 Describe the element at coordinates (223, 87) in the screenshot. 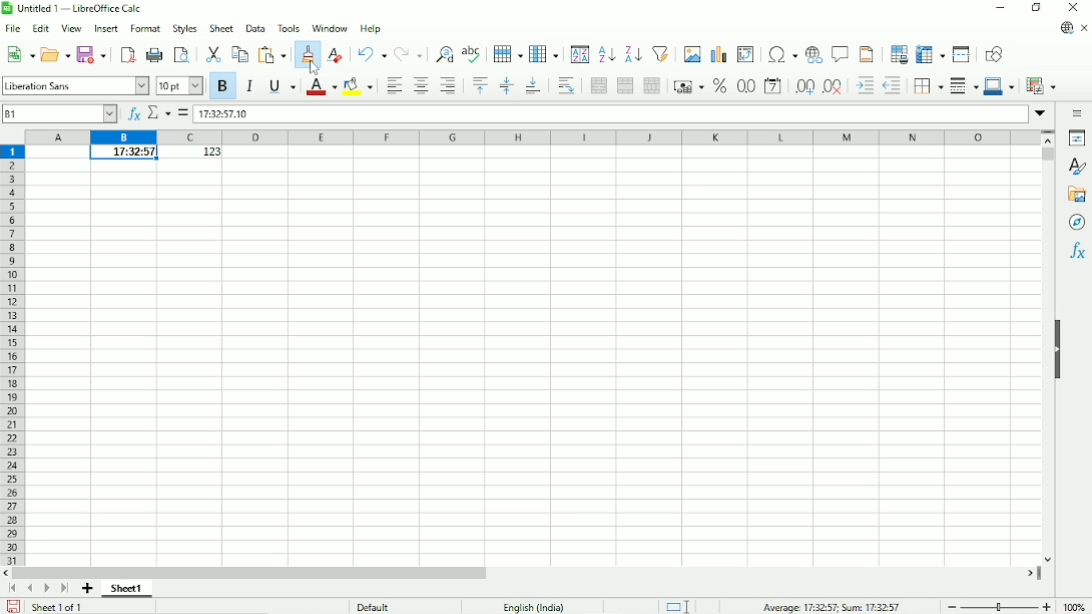

I see `Bold` at that location.